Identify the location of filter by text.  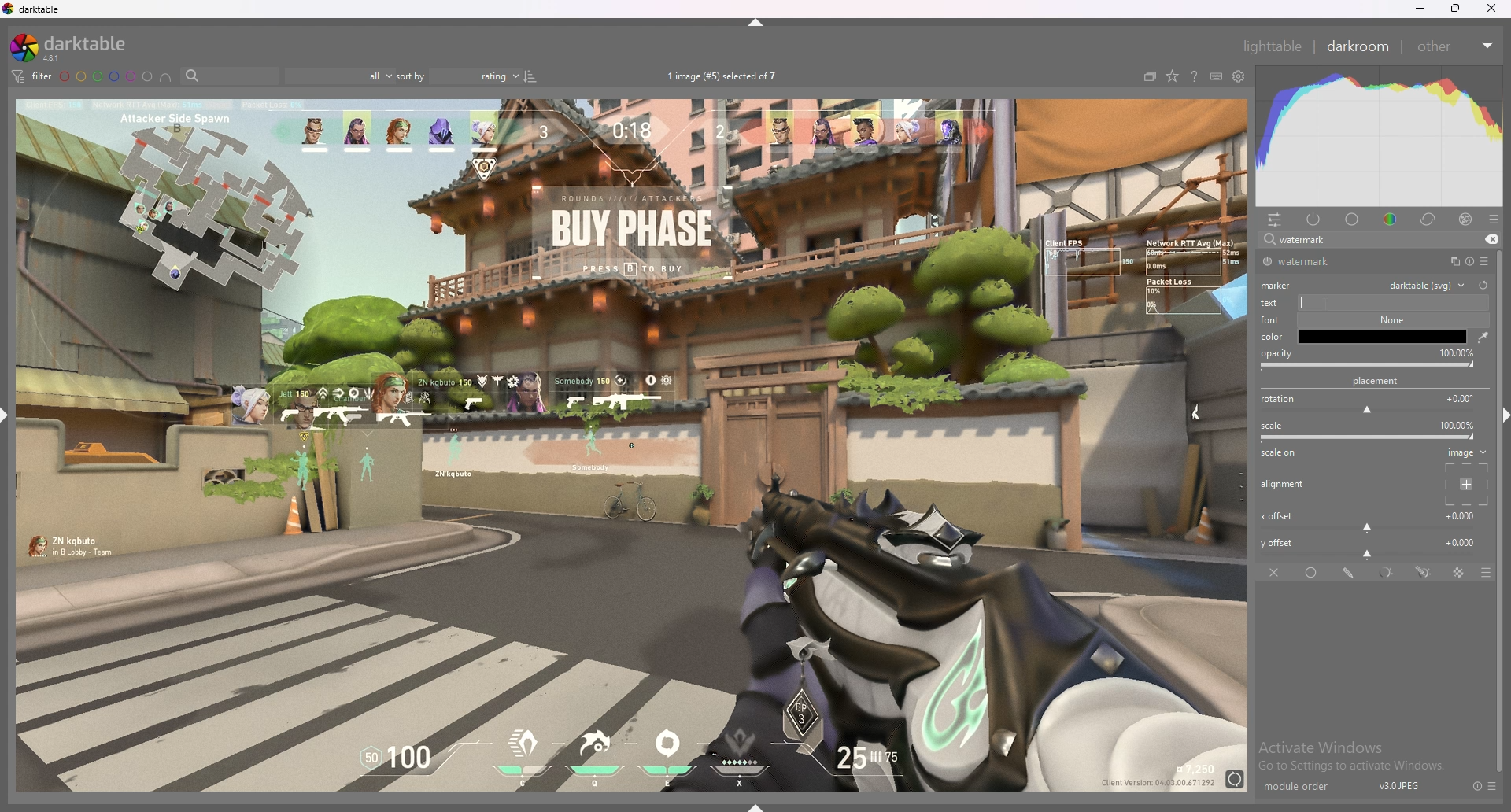
(230, 76).